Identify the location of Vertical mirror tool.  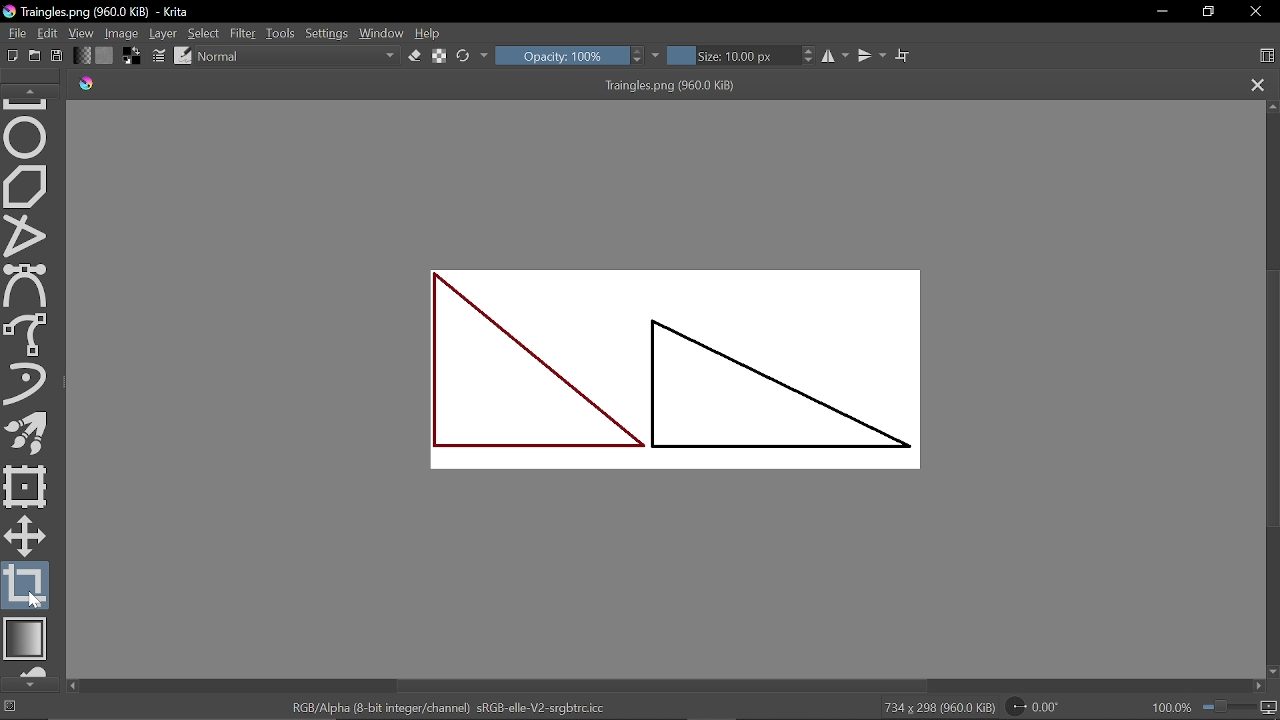
(873, 55).